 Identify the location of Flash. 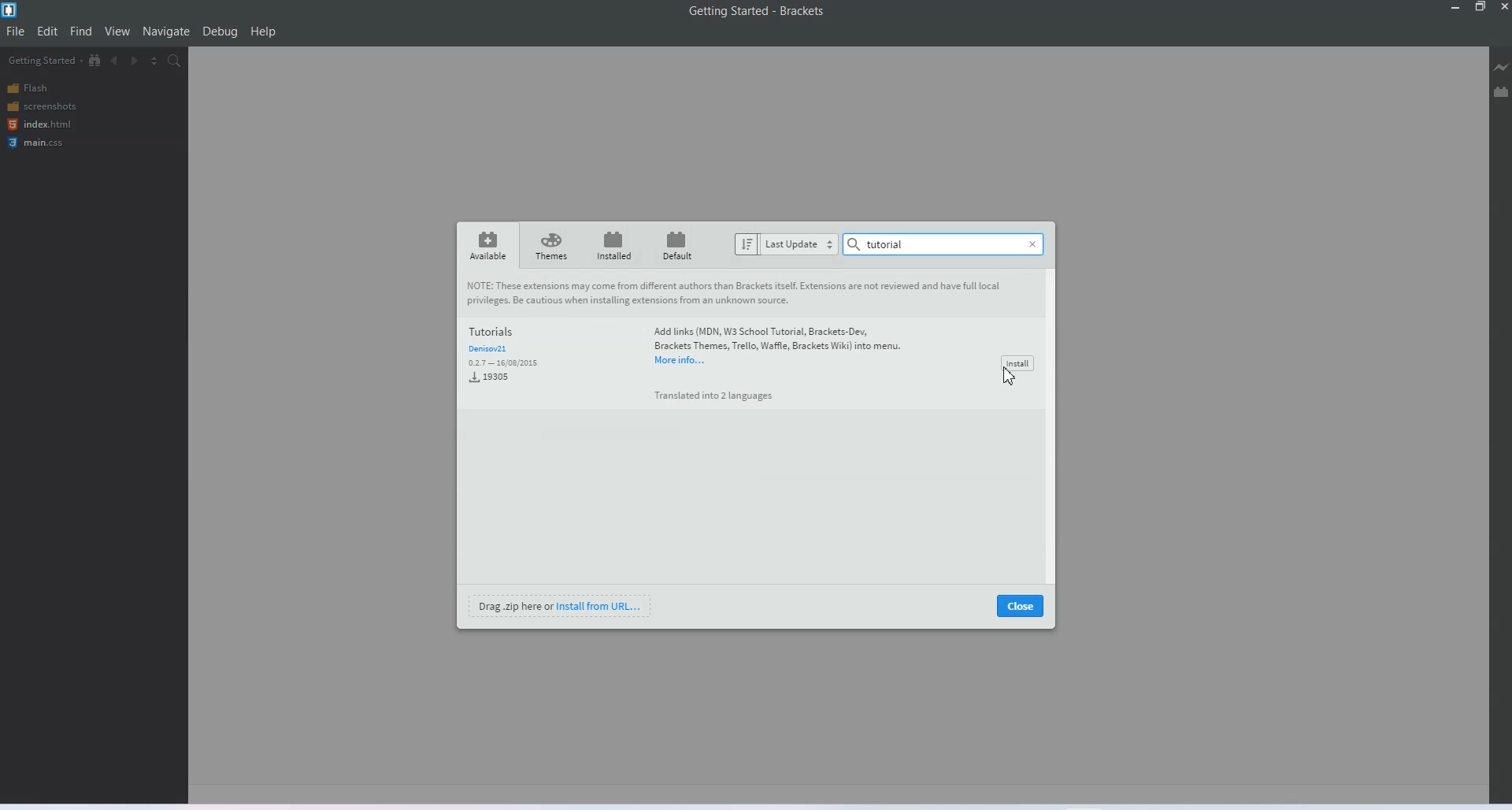
(43, 88).